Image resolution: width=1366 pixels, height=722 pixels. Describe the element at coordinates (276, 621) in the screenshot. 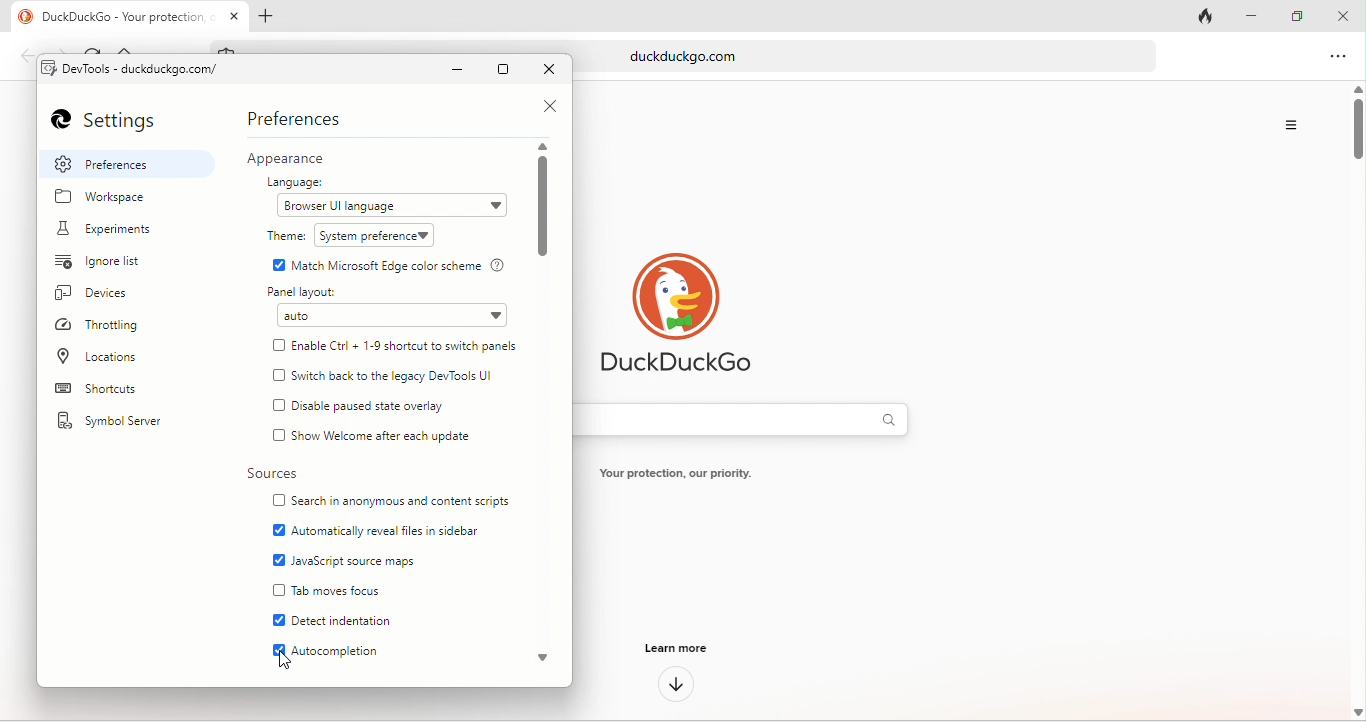

I see `enable checkbox` at that location.